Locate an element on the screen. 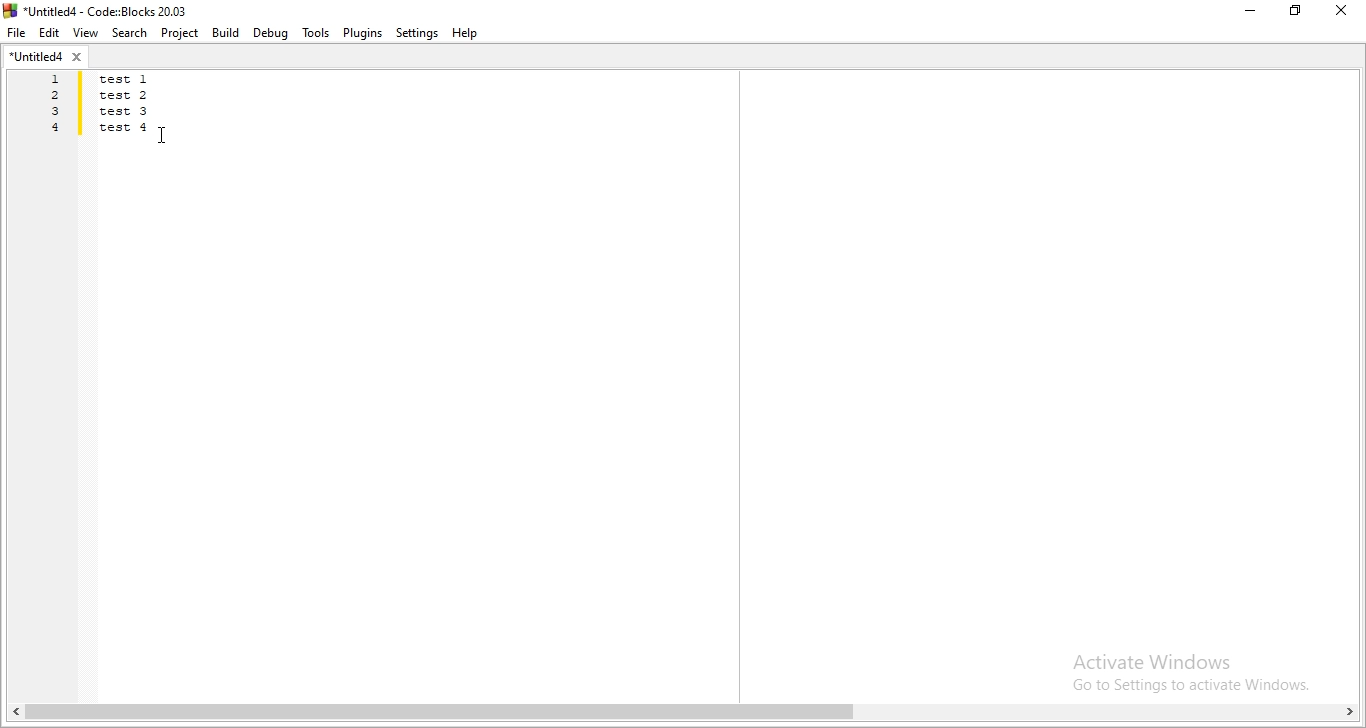 This screenshot has width=1366, height=728. Minimise is located at coordinates (1249, 12).